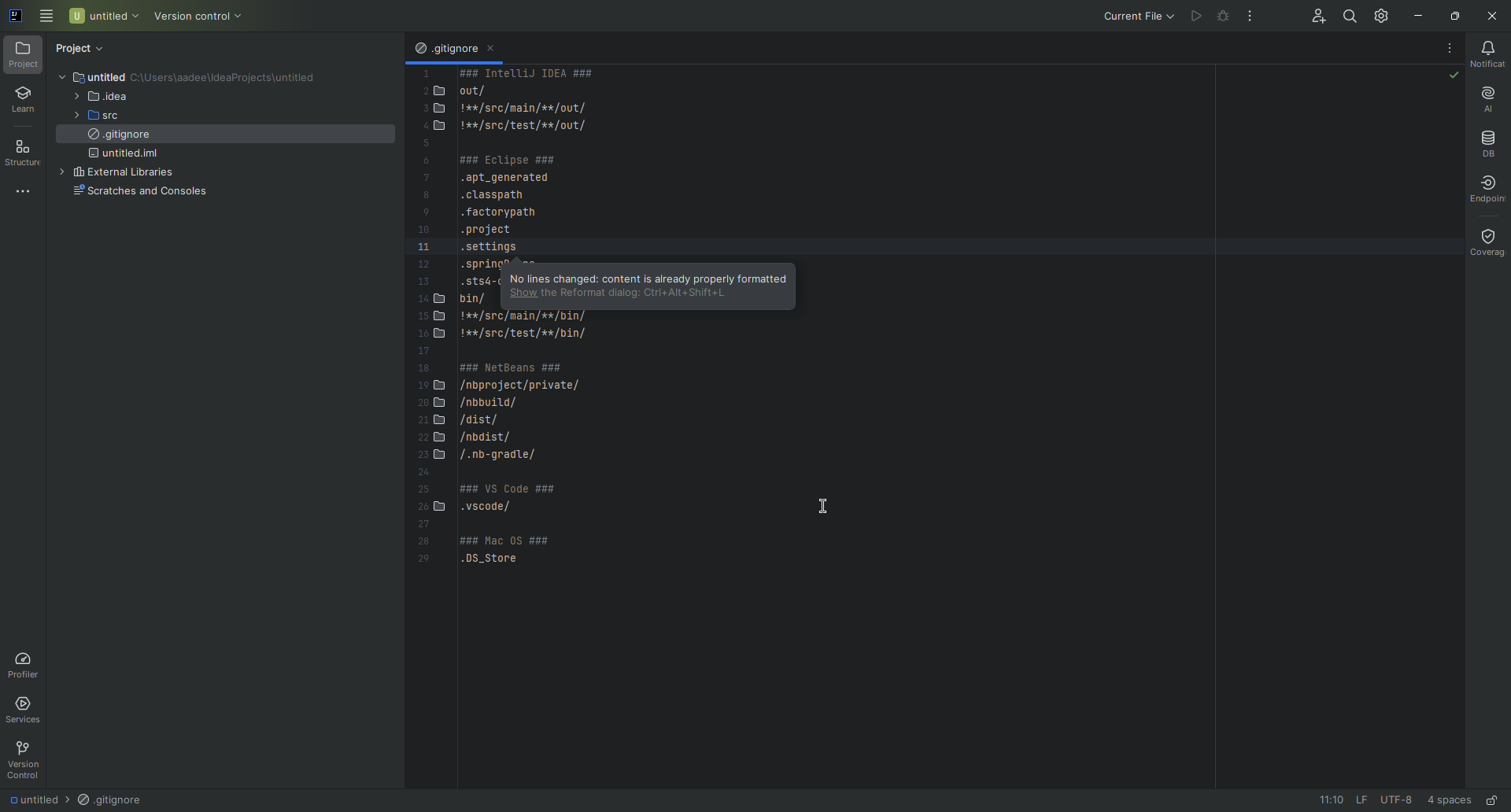  Describe the element at coordinates (24, 56) in the screenshot. I see `Project` at that location.